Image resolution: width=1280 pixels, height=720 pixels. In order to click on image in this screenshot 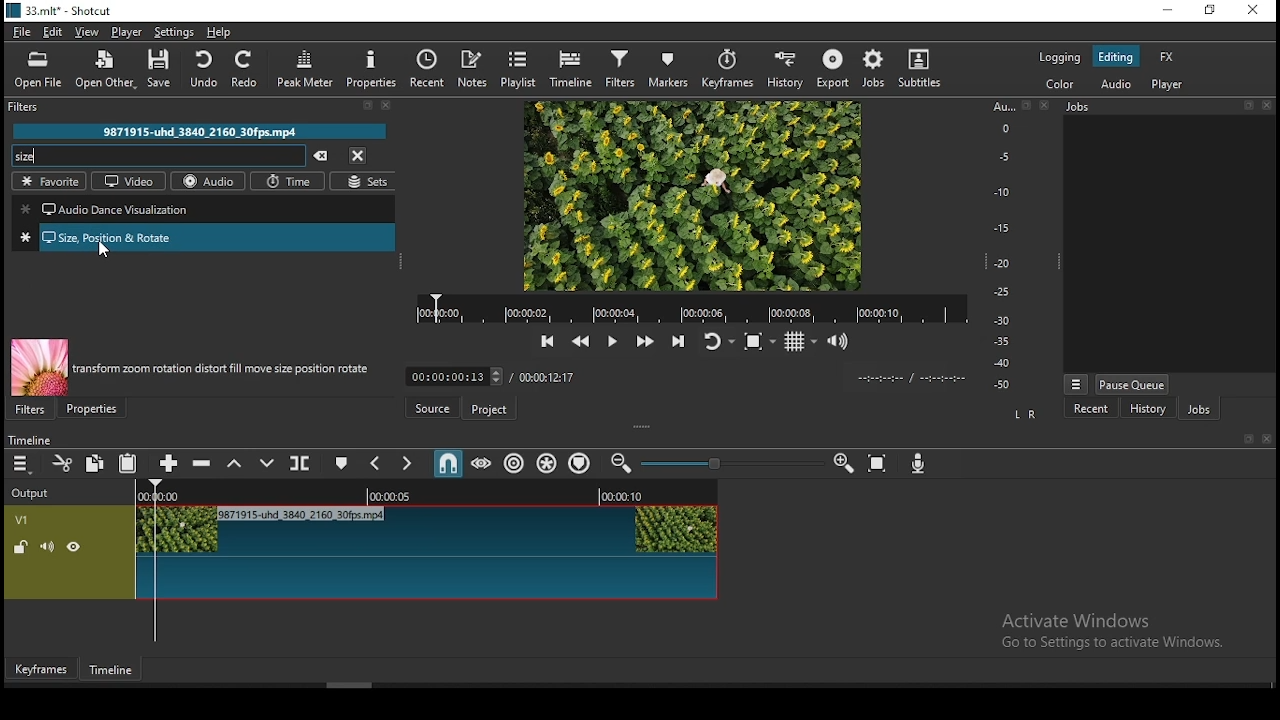, I will do `click(40, 367)`.